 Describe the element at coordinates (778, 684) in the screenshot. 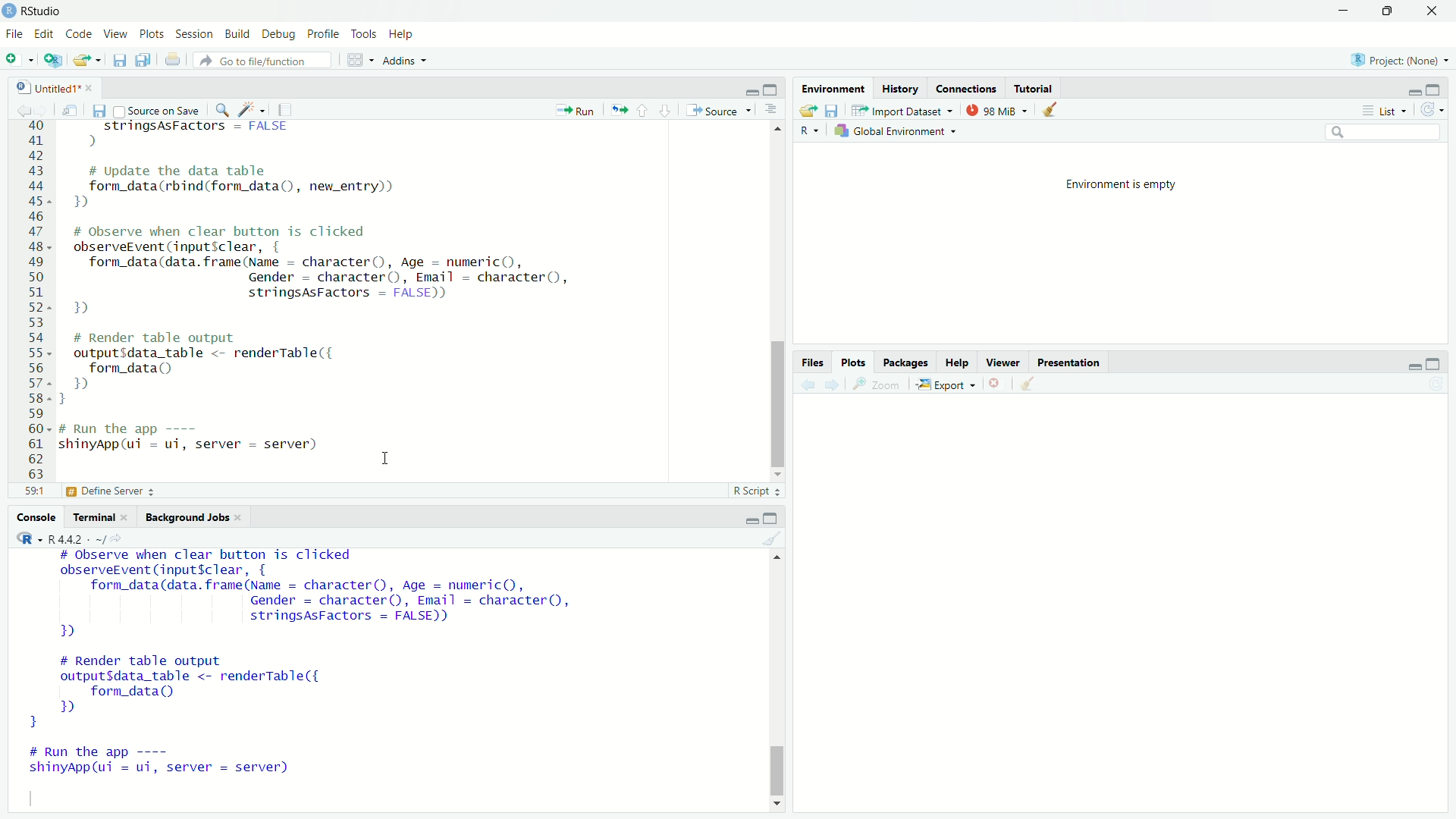

I see `scrollbar` at that location.